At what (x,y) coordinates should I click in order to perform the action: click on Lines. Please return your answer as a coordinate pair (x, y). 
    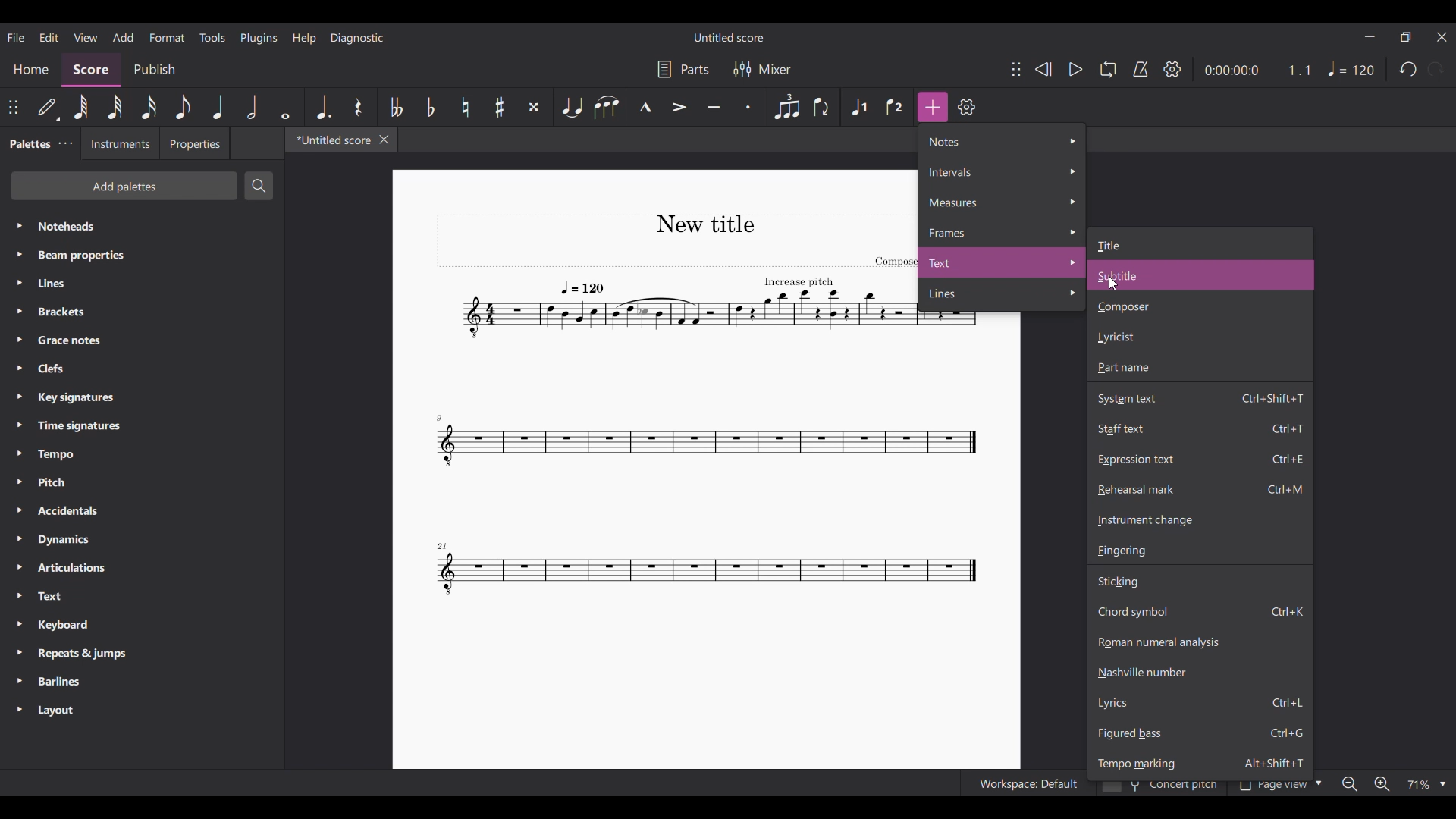
    Looking at the image, I should click on (142, 283).